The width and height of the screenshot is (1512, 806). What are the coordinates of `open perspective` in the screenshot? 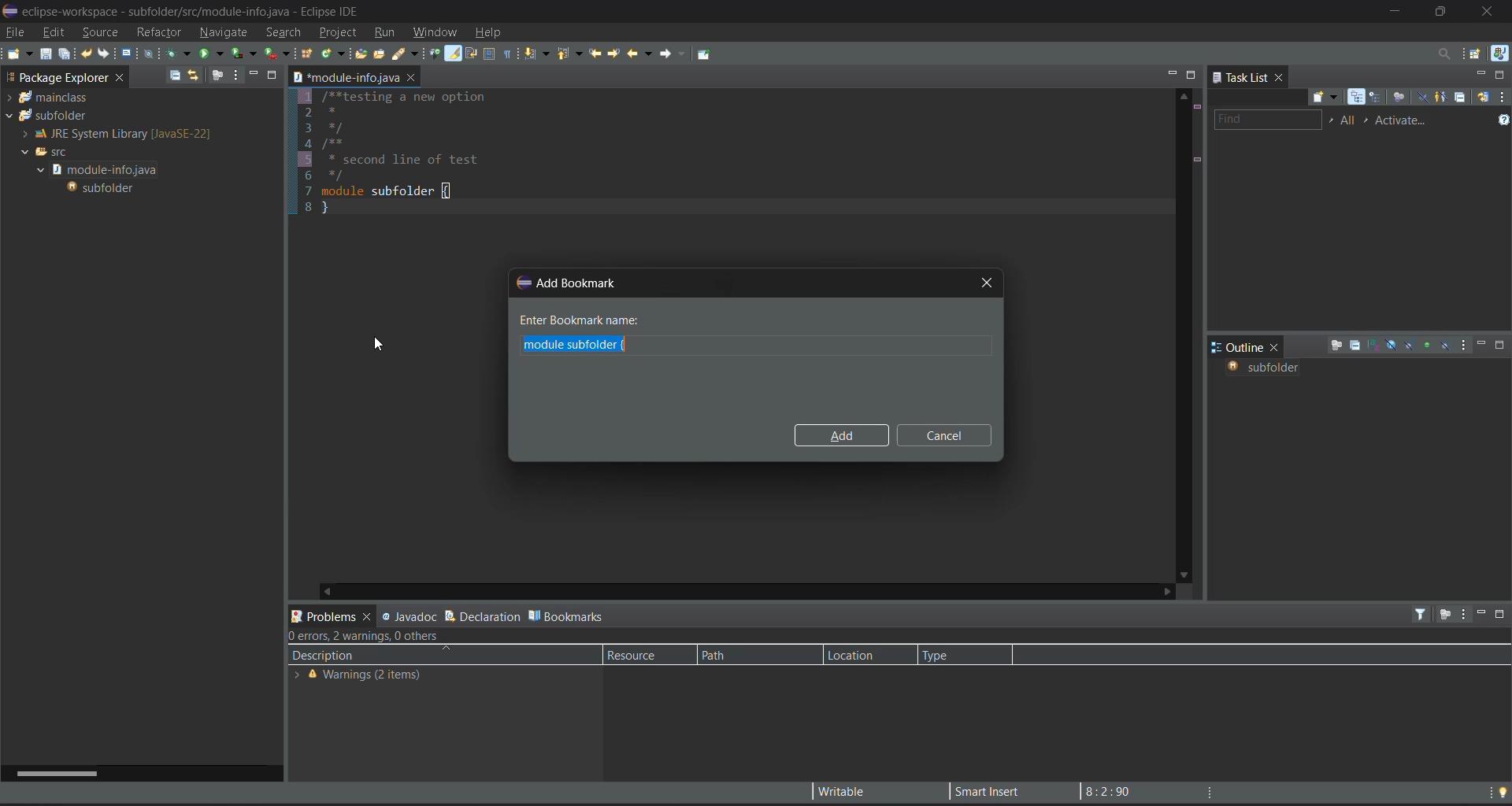 It's located at (1477, 54).